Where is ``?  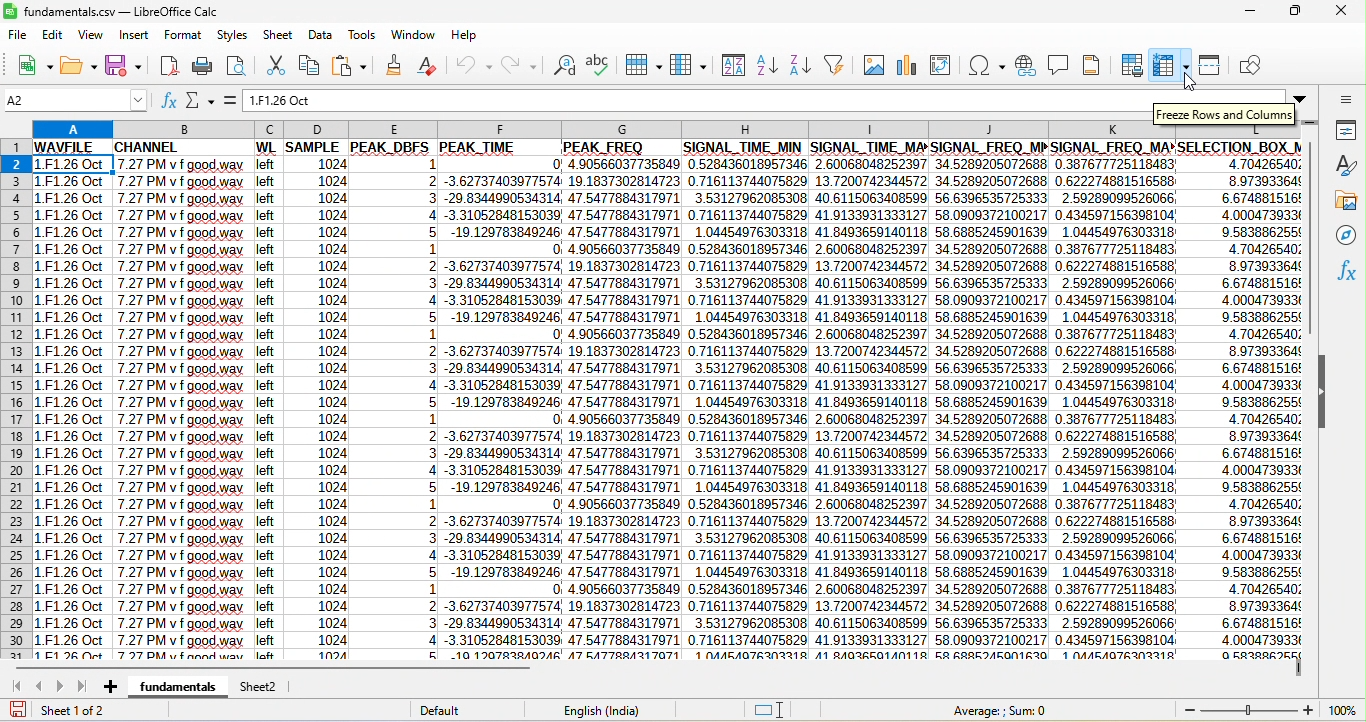
 is located at coordinates (280, 666).